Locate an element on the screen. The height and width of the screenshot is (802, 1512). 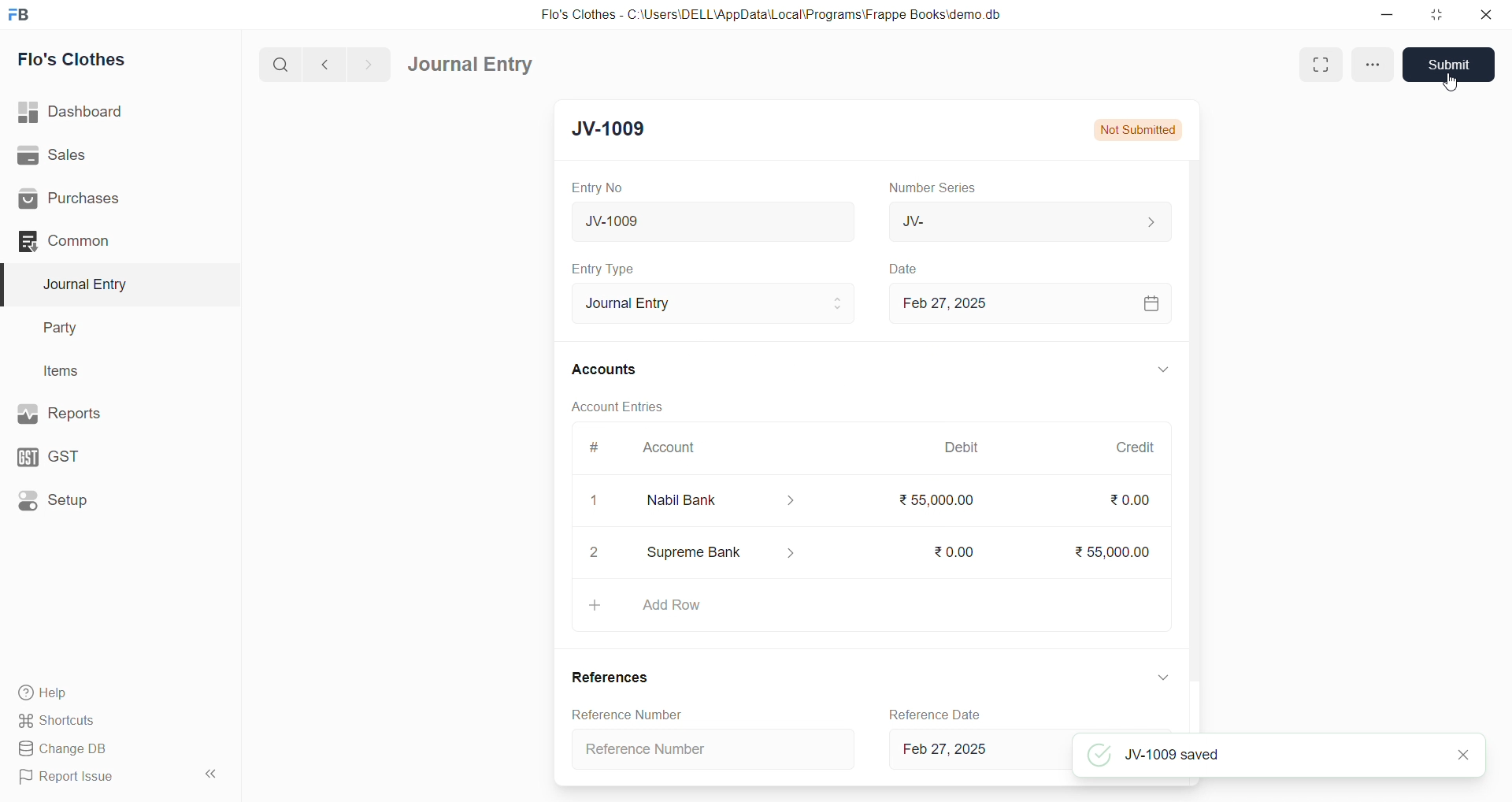
Submit is located at coordinates (1447, 65).